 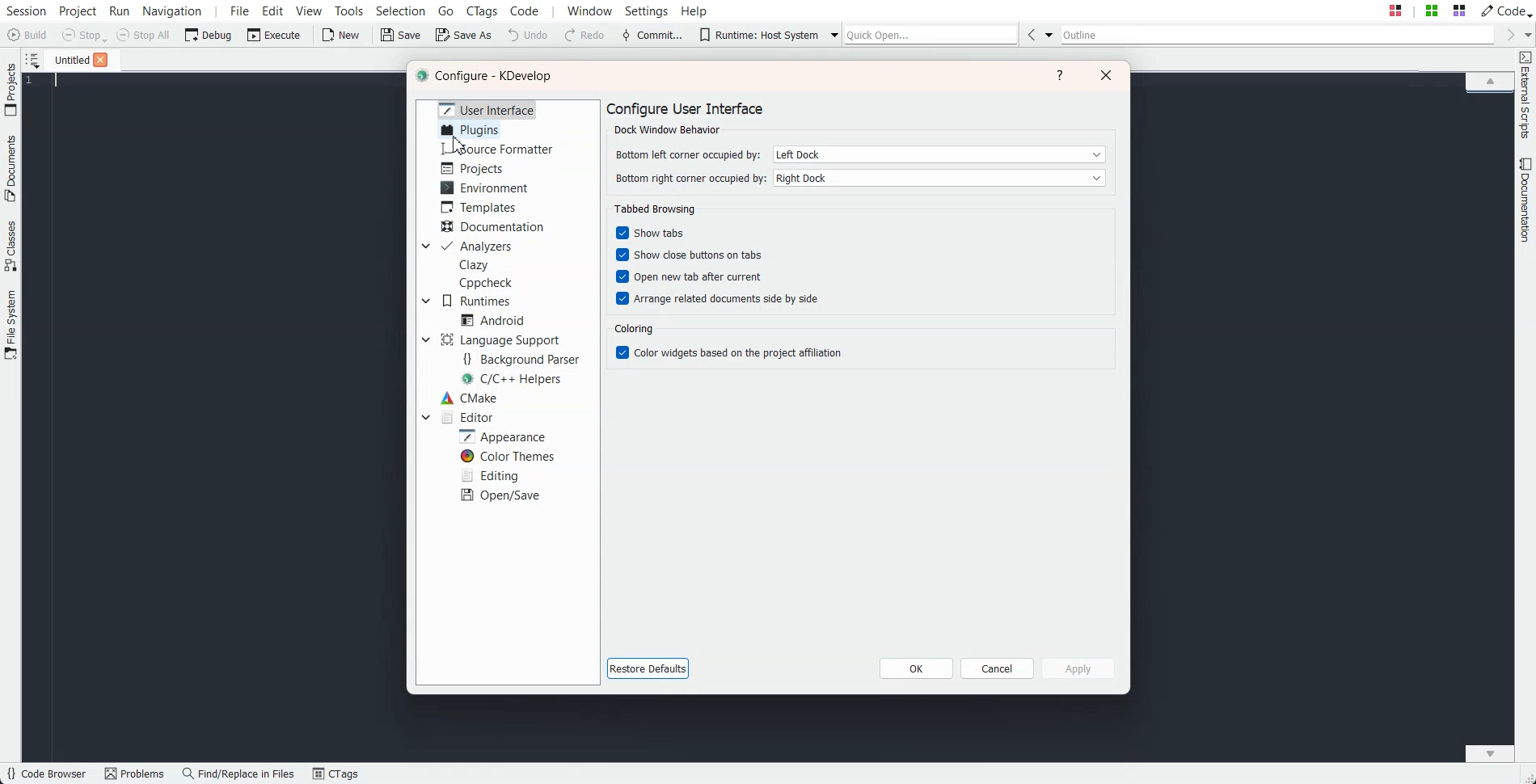 What do you see at coordinates (477, 247) in the screenshot?
I see `Analyzers` at bounding box center [477, 247].